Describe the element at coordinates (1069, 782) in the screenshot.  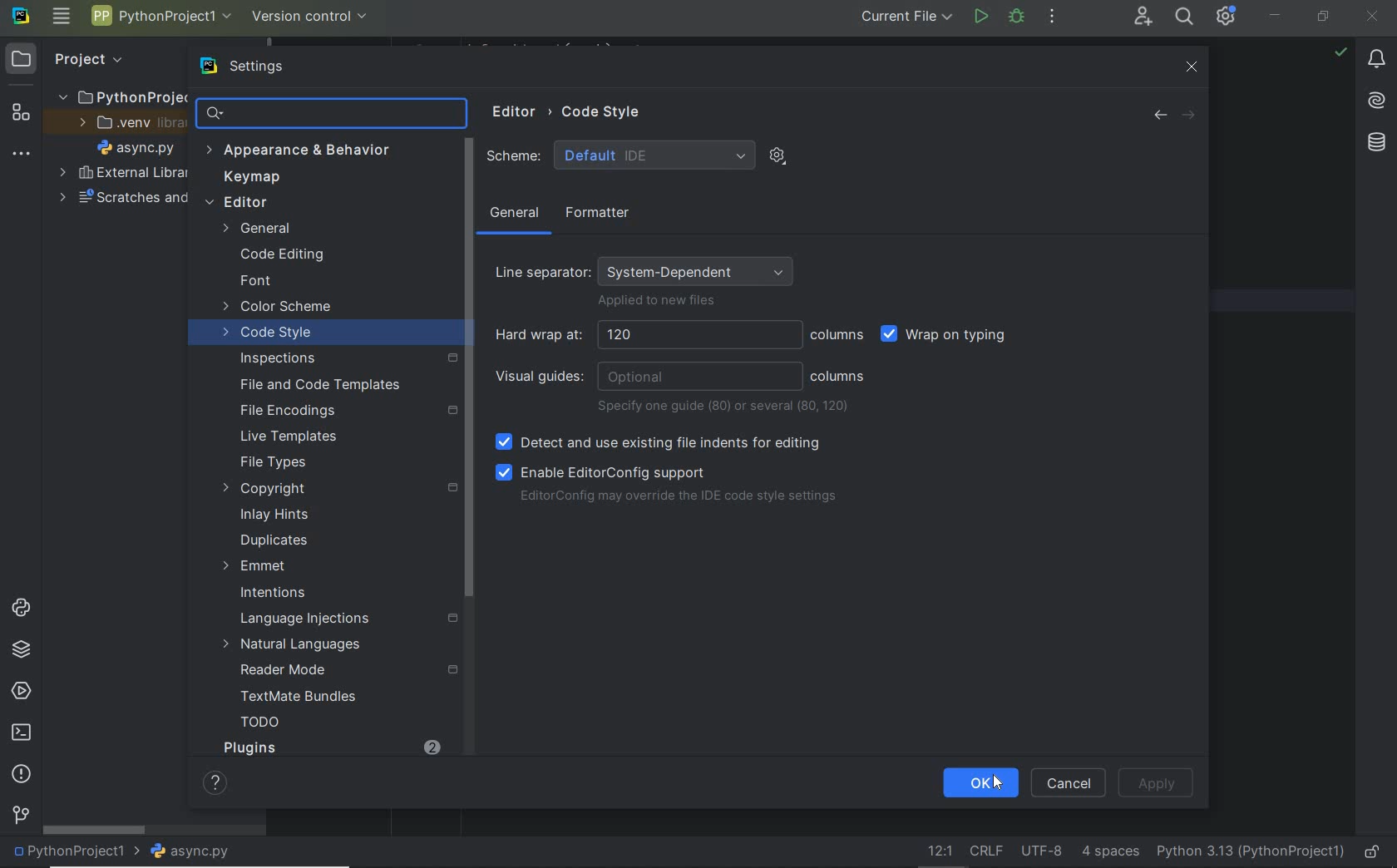
I see `CANCEL` at that location.